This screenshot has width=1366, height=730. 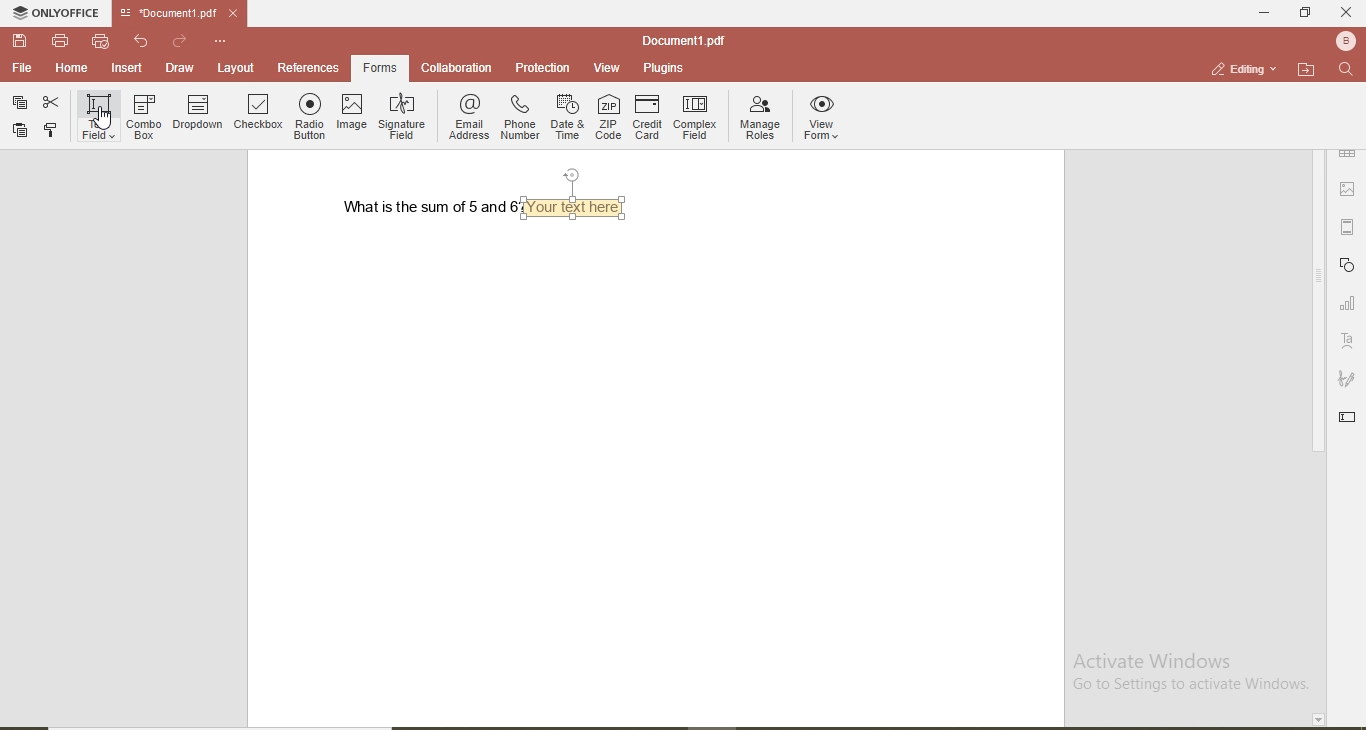 I want to click on close, so click(x=1347, y=11).